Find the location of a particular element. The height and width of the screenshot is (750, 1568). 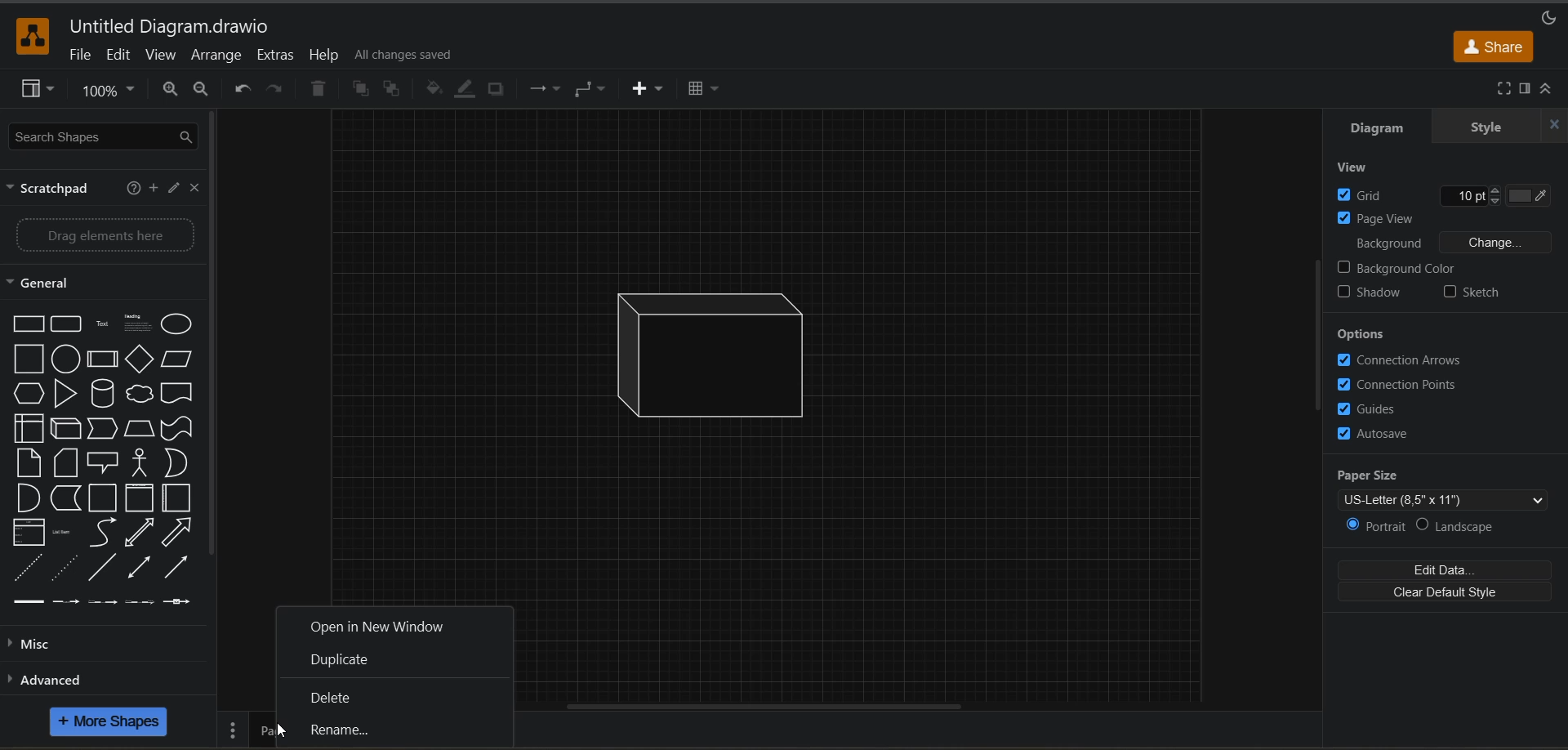

to front is located at coordinates (362, 91).